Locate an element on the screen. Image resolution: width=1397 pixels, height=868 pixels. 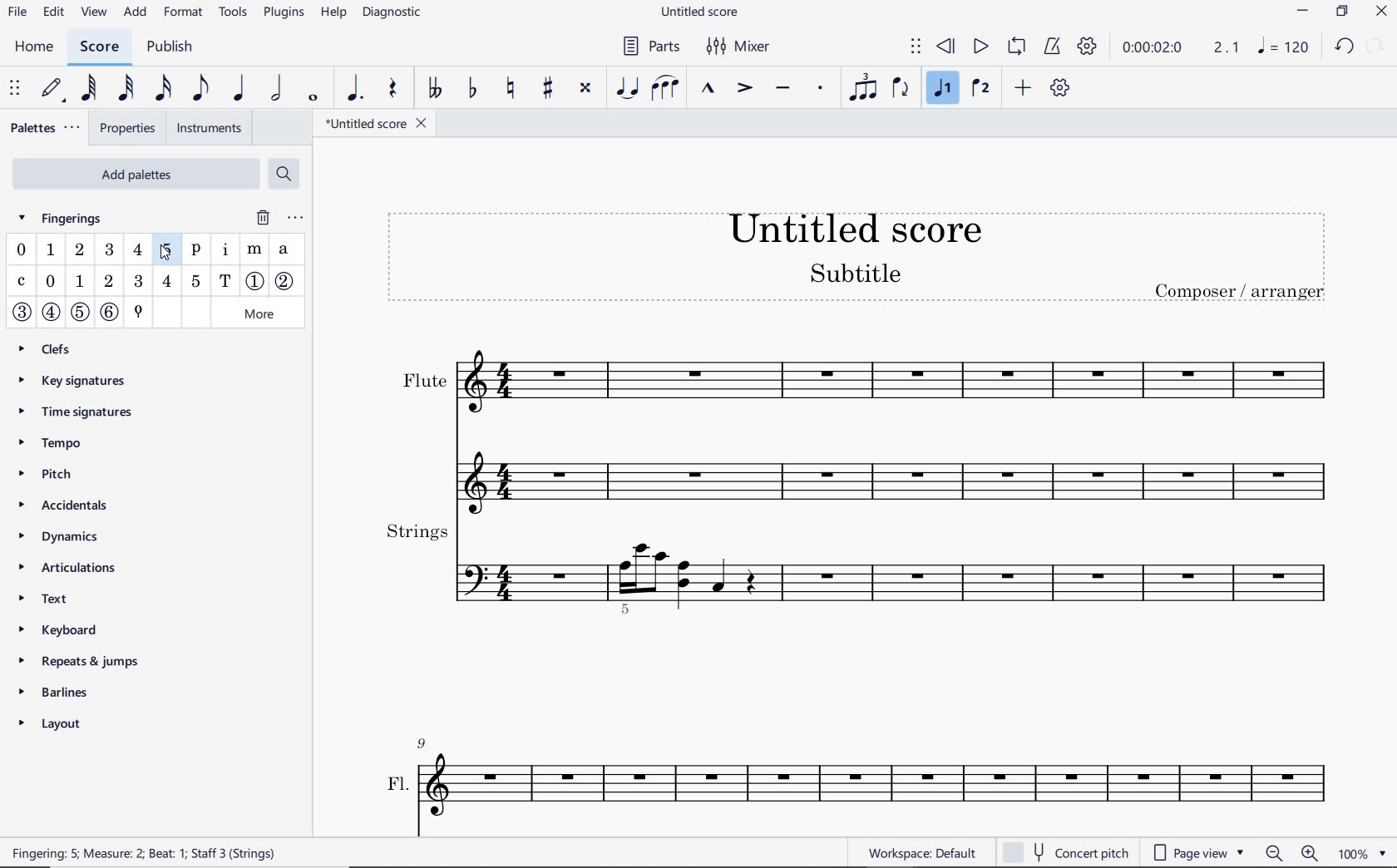
file name is located at coordinates (699, 13).